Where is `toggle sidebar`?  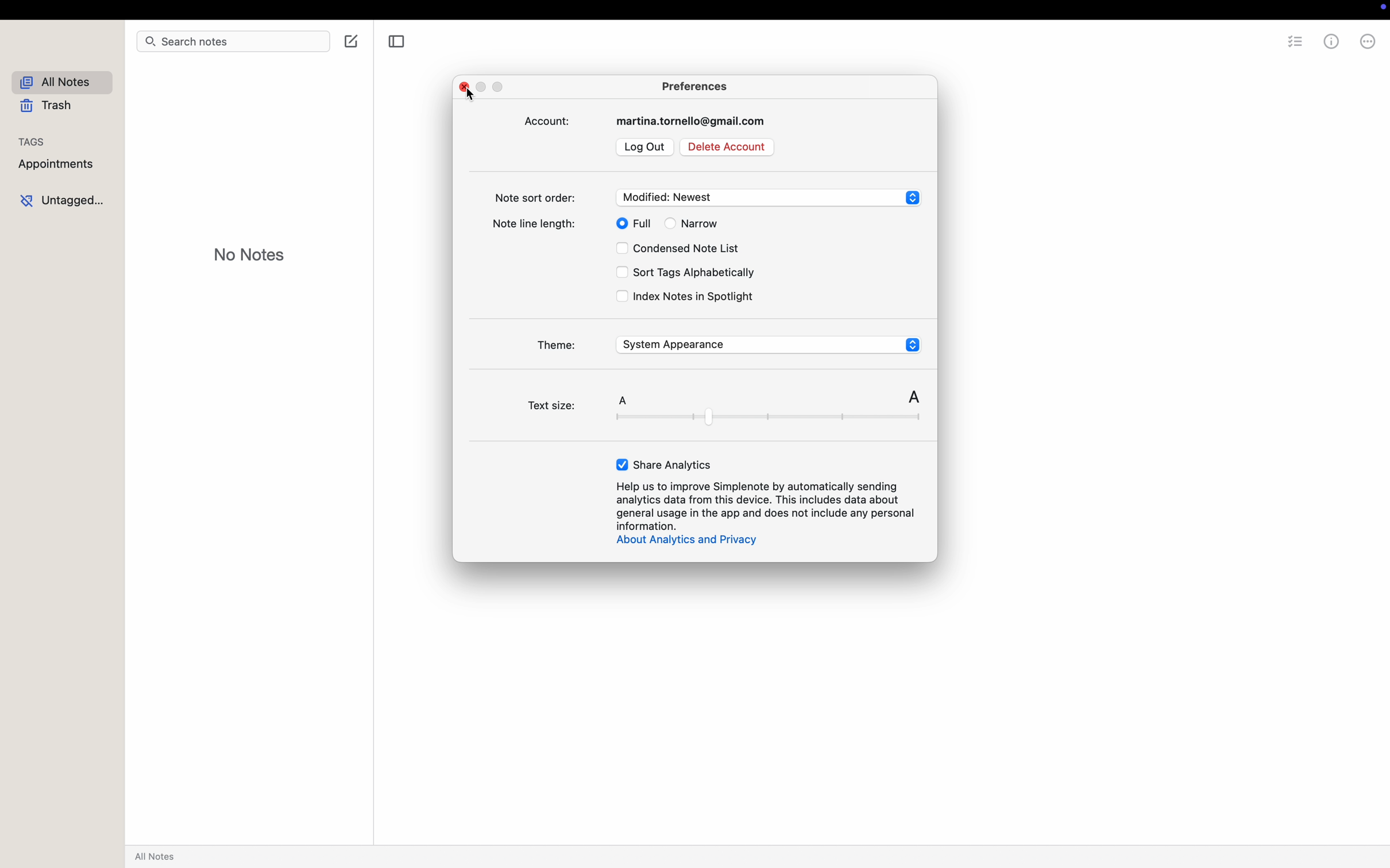 toggle sidebar is located at coordinates (397, 44).